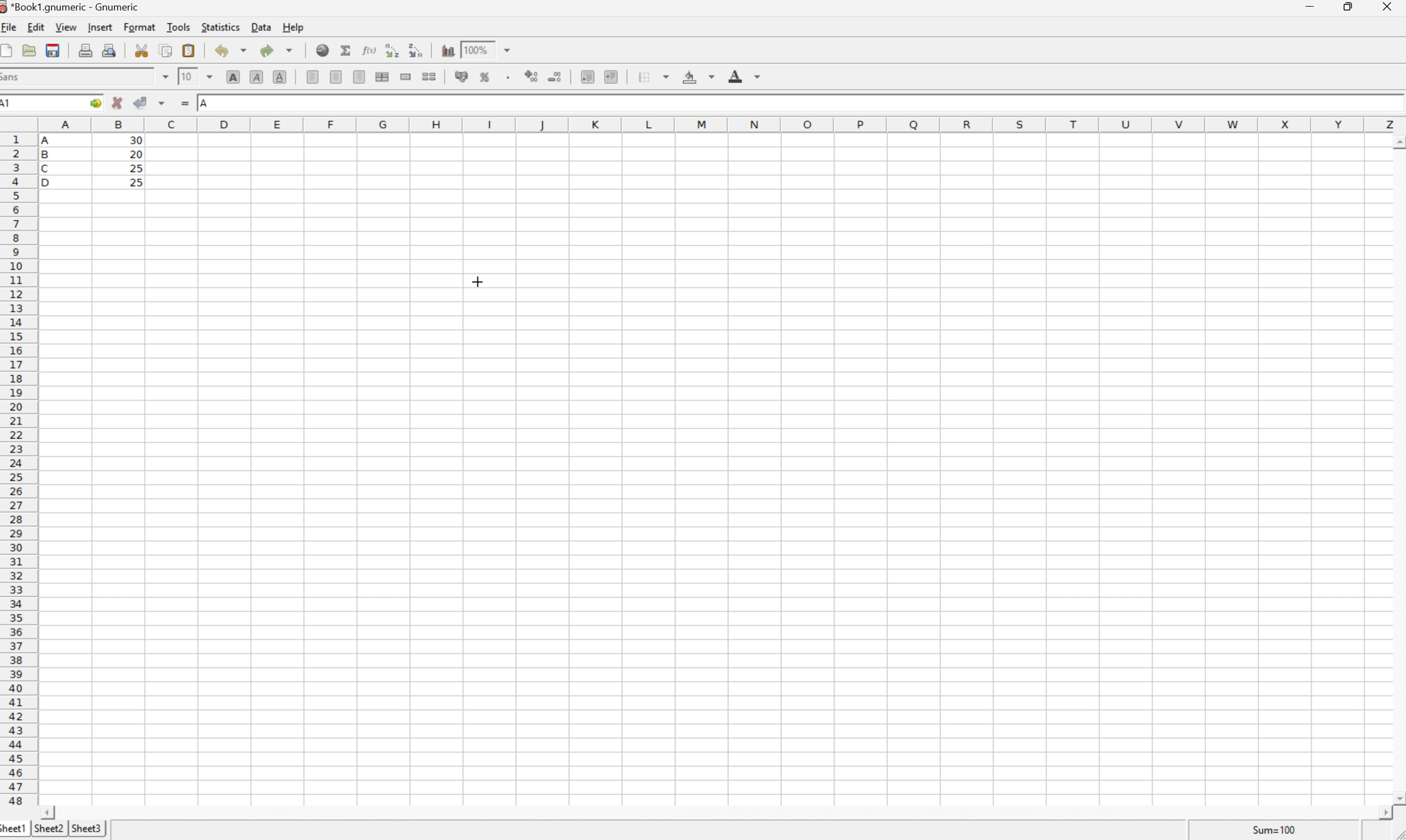  I want to click on Underline, so click(279, 78).